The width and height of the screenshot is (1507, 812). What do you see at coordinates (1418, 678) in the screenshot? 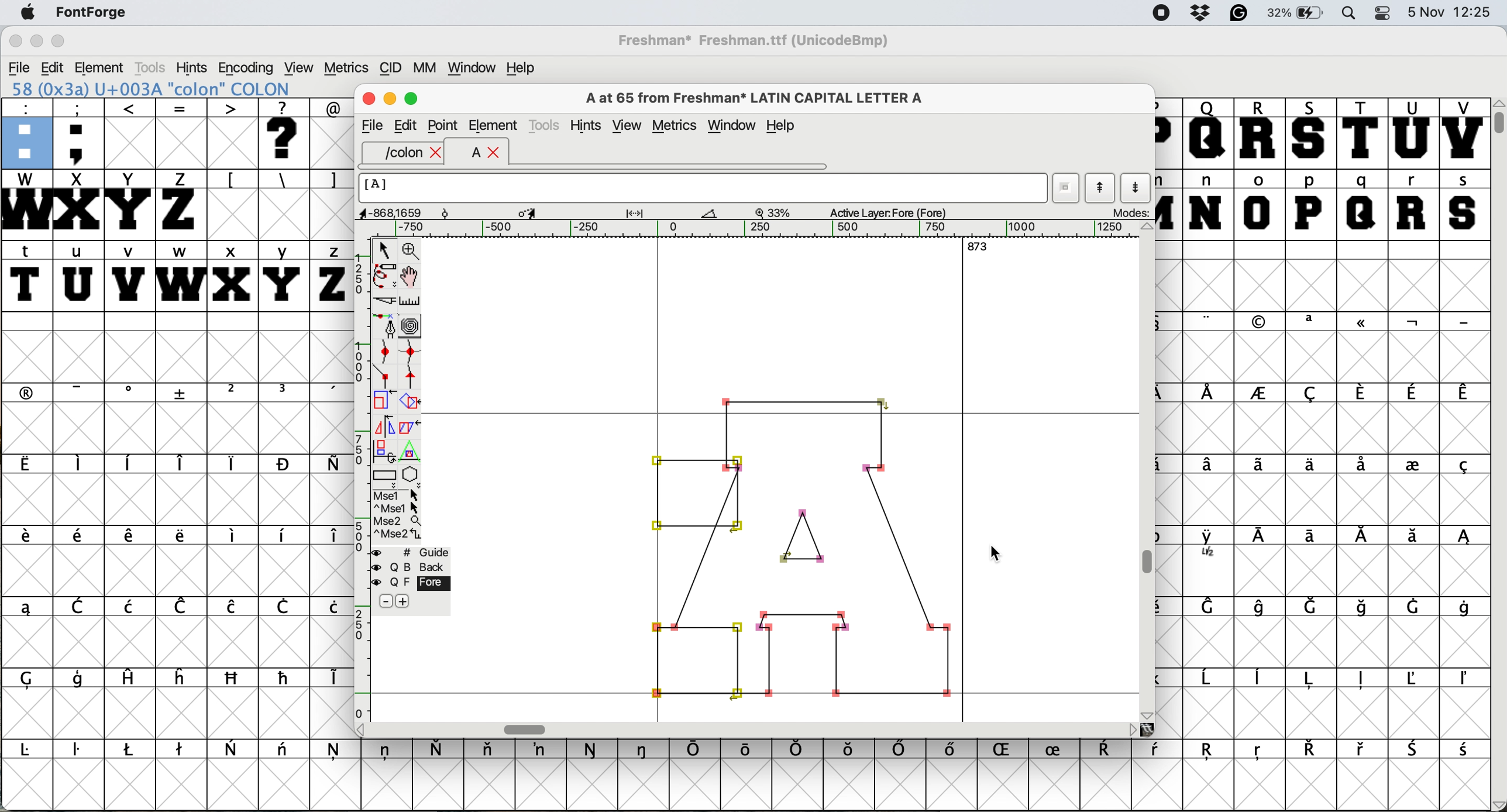
I see `symbol` at bounding box center [1418, 678].